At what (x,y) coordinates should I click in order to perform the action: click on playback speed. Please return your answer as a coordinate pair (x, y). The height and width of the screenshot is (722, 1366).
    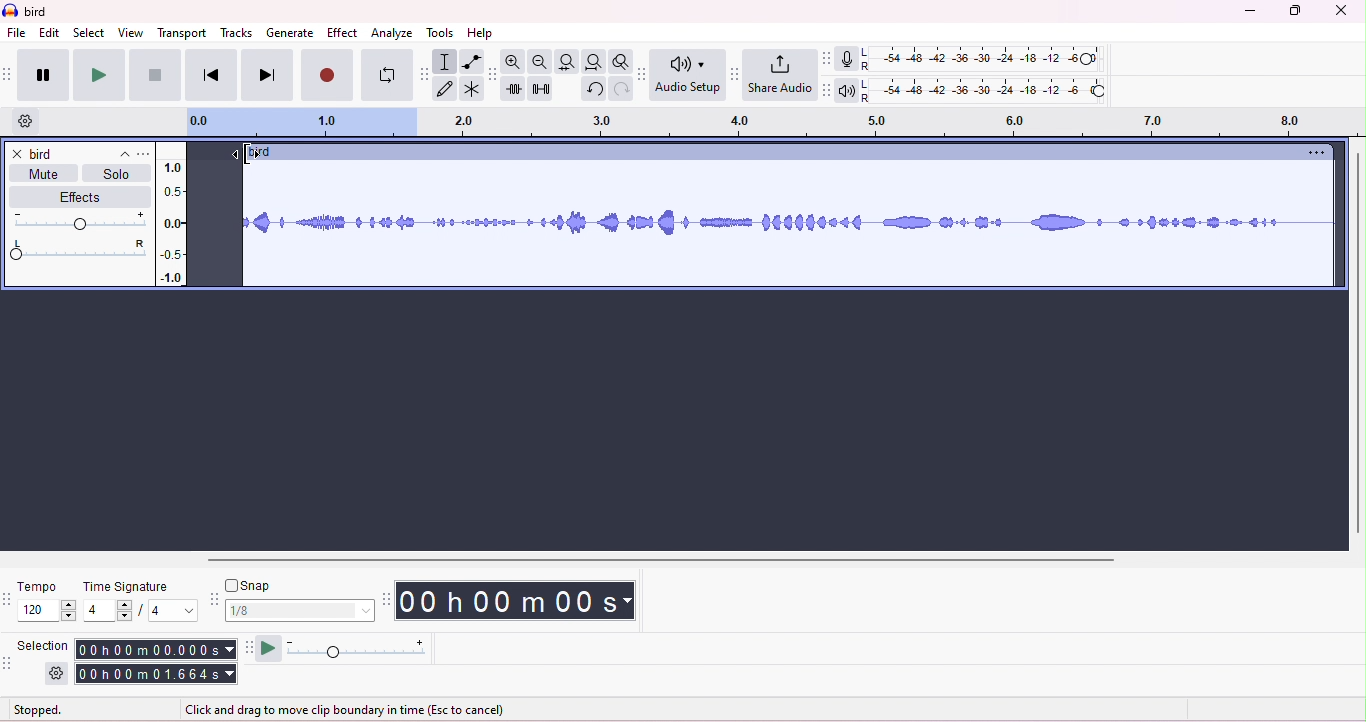
    Looking at the image, I should click on (357, 650).